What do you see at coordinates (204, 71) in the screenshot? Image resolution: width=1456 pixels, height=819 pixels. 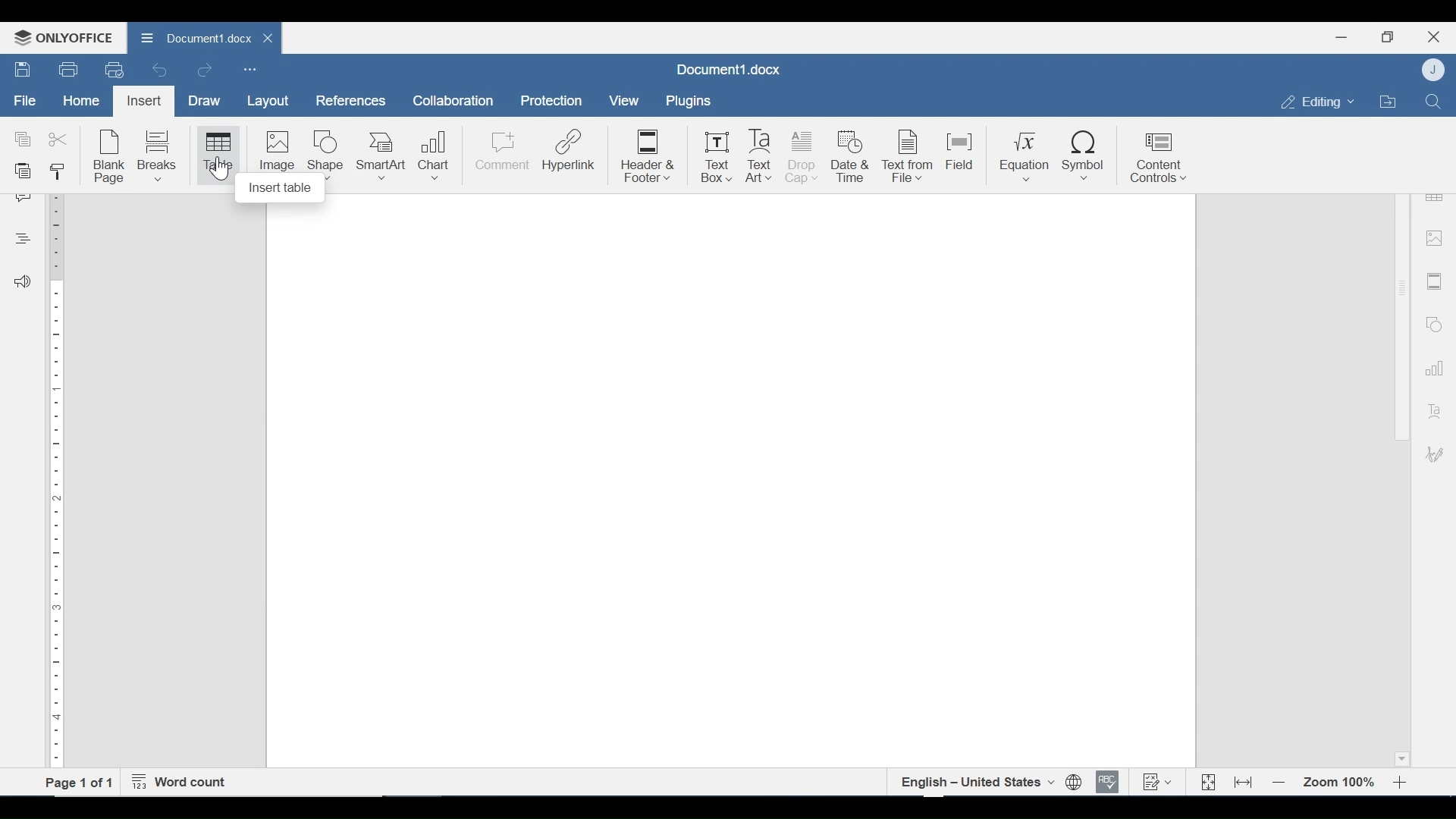 I see `Redo` at bounding box center [204, 71].